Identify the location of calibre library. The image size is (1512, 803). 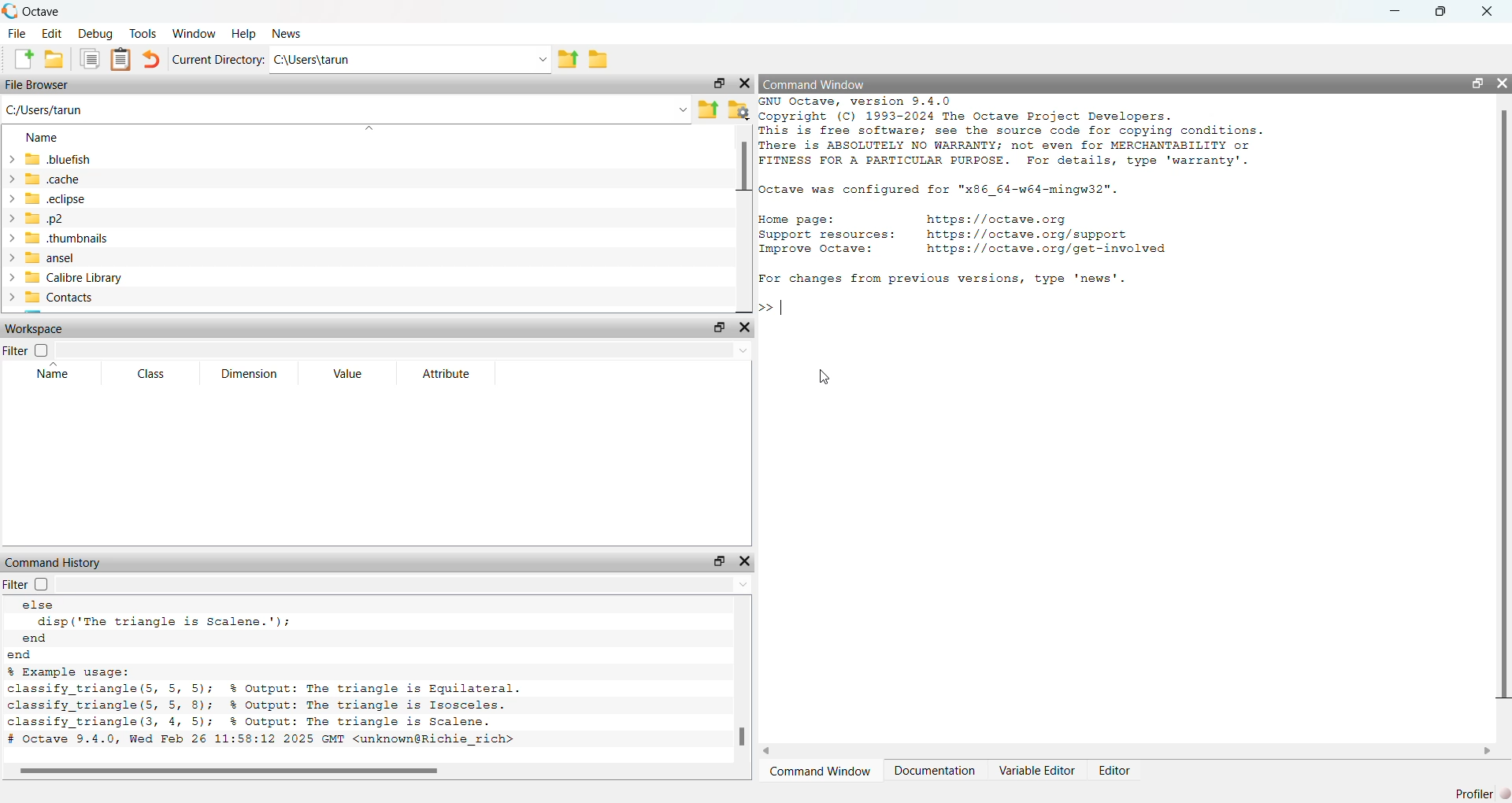
(67, 278).